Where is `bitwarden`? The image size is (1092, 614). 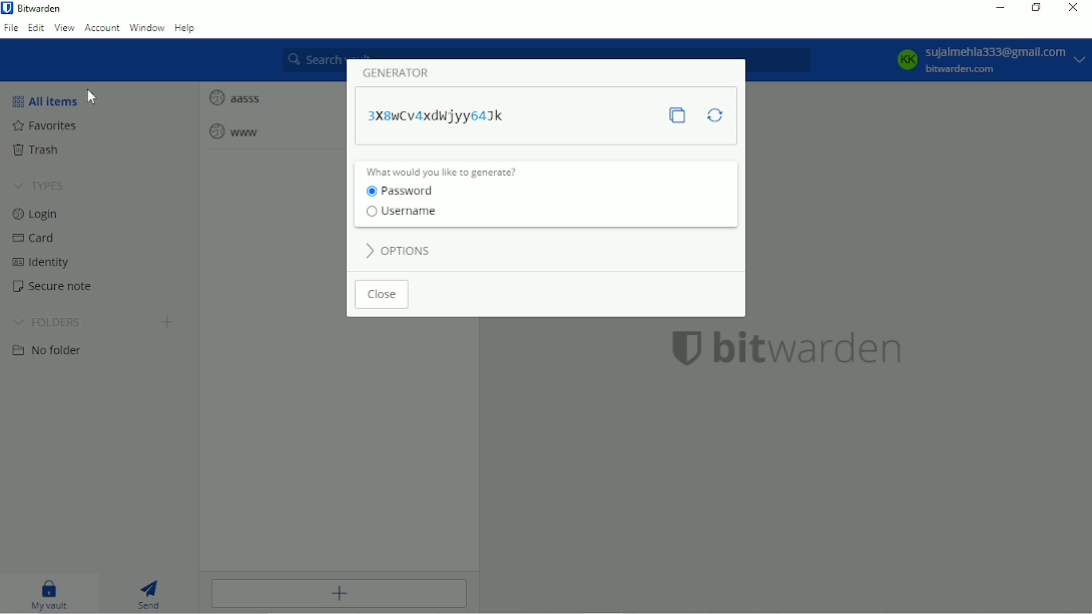
bitwarden is located at coordinates (786, 346).